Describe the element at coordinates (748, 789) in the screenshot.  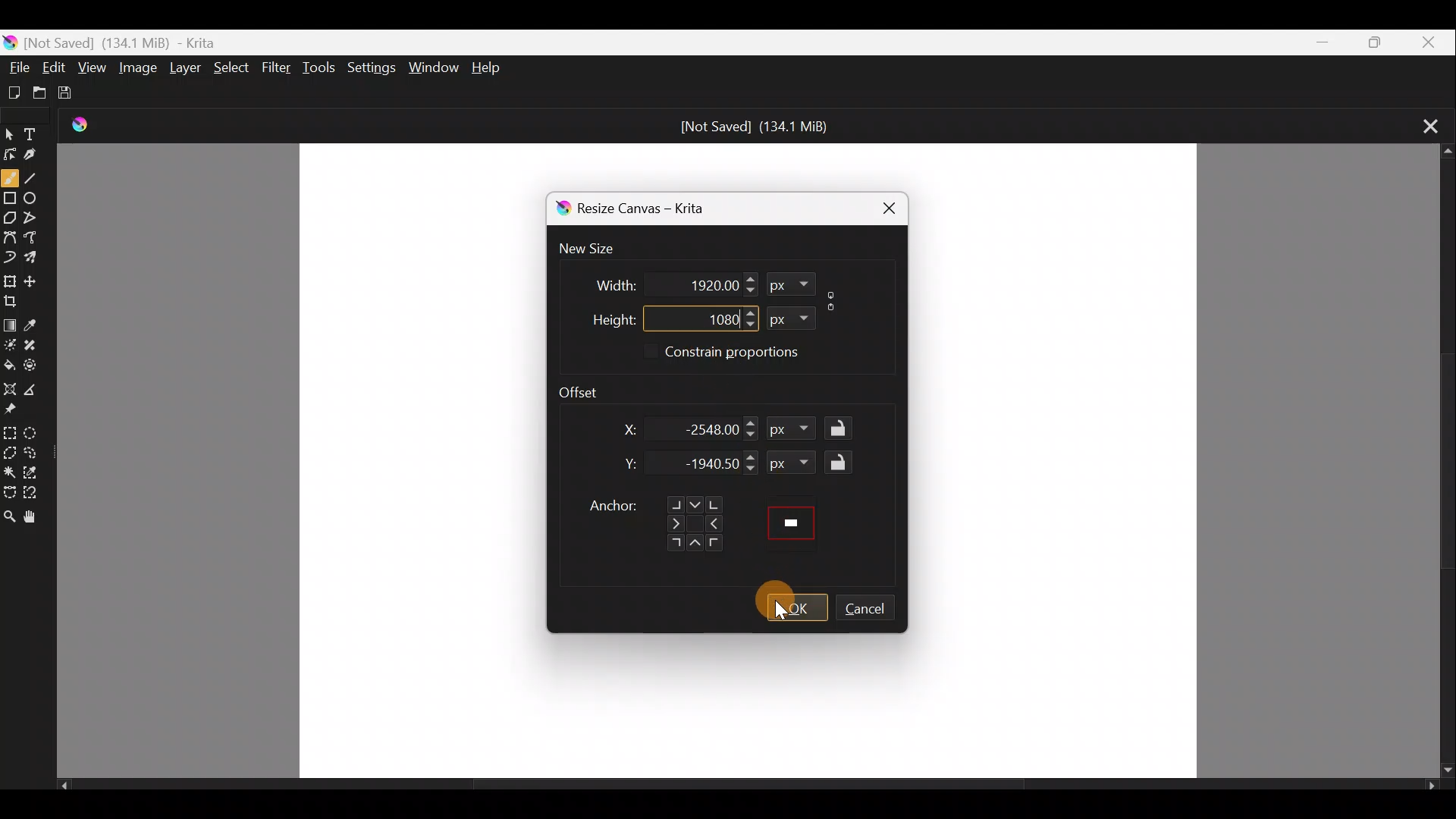
I see `Scroll bar` at that location.